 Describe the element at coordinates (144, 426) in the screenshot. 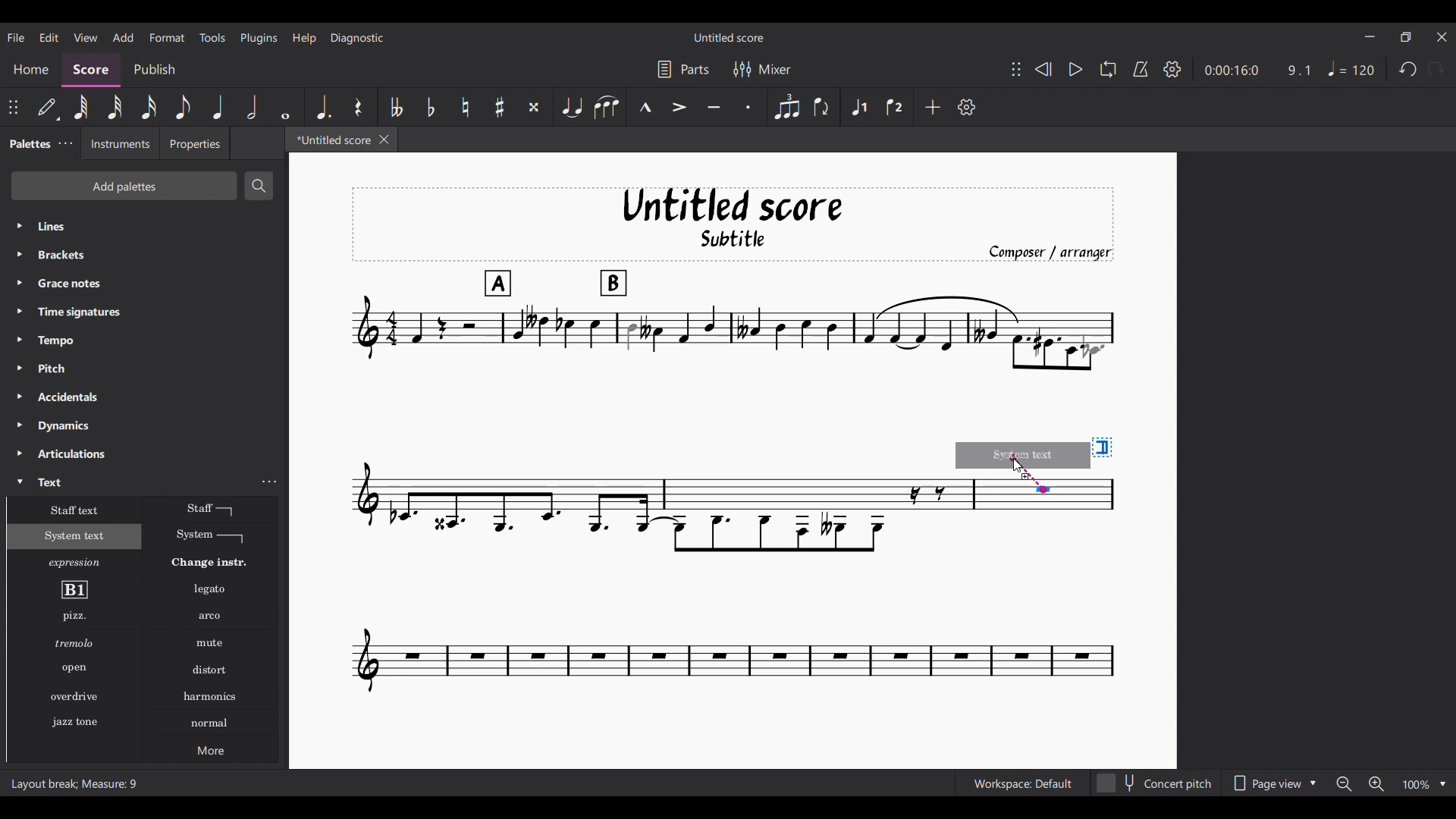

I see `Dynamics` at that location.